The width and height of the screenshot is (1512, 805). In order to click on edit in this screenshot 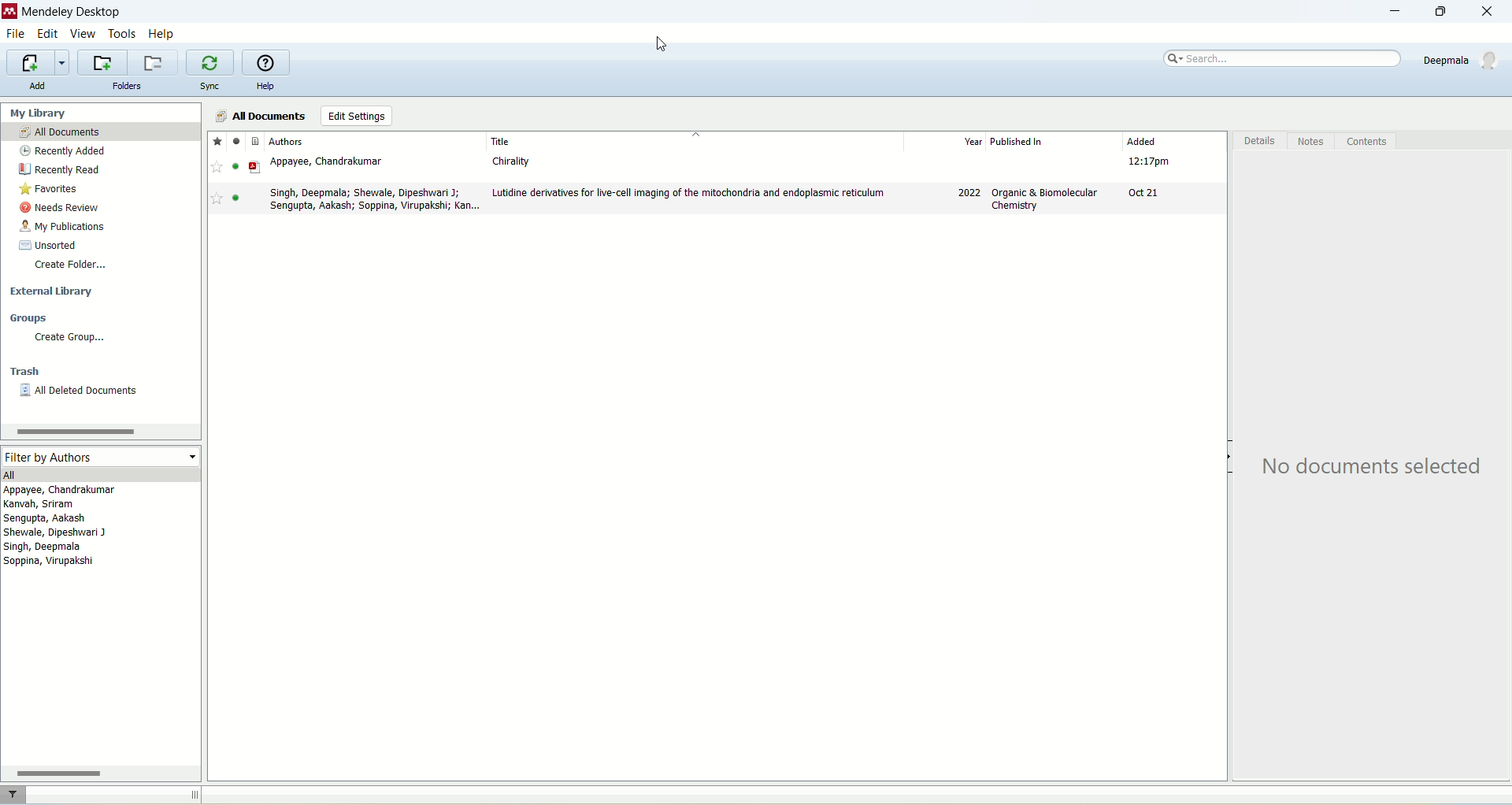, I will do `click(50, 32)`.